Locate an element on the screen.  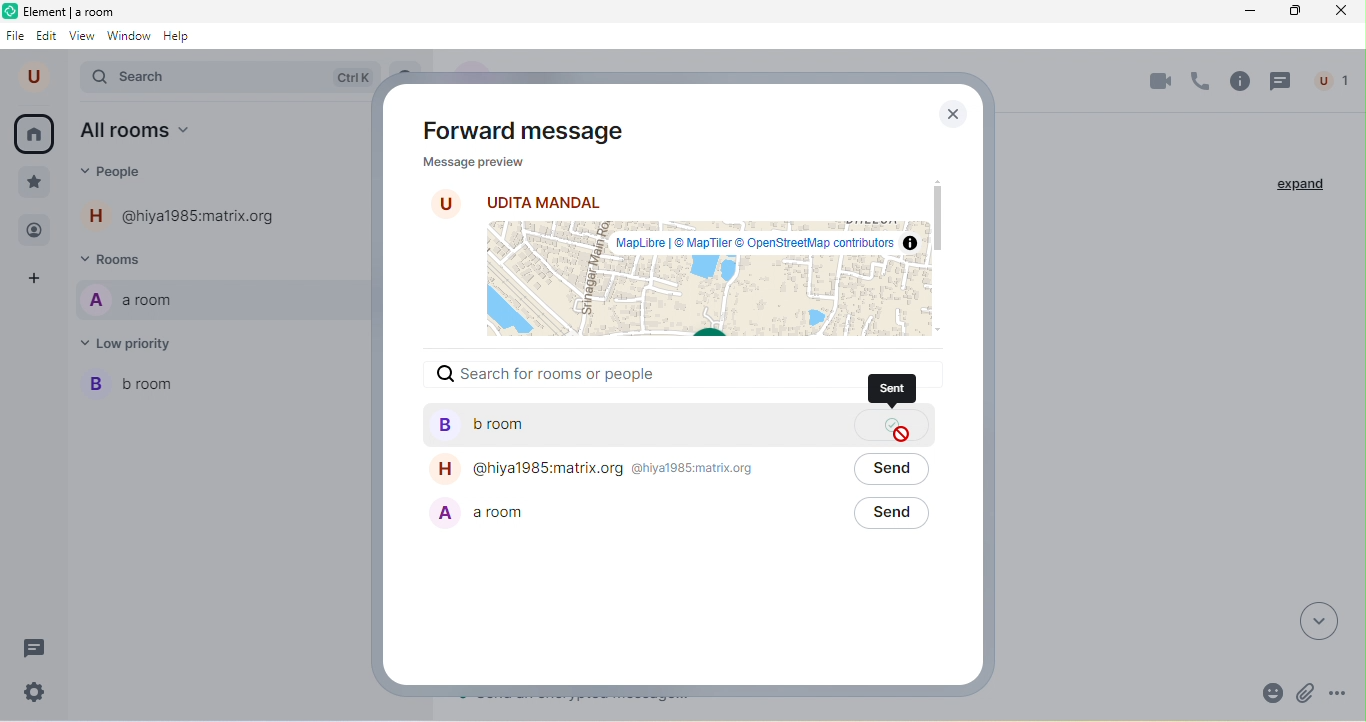
voice chat is located at coordinates (1200, 80).